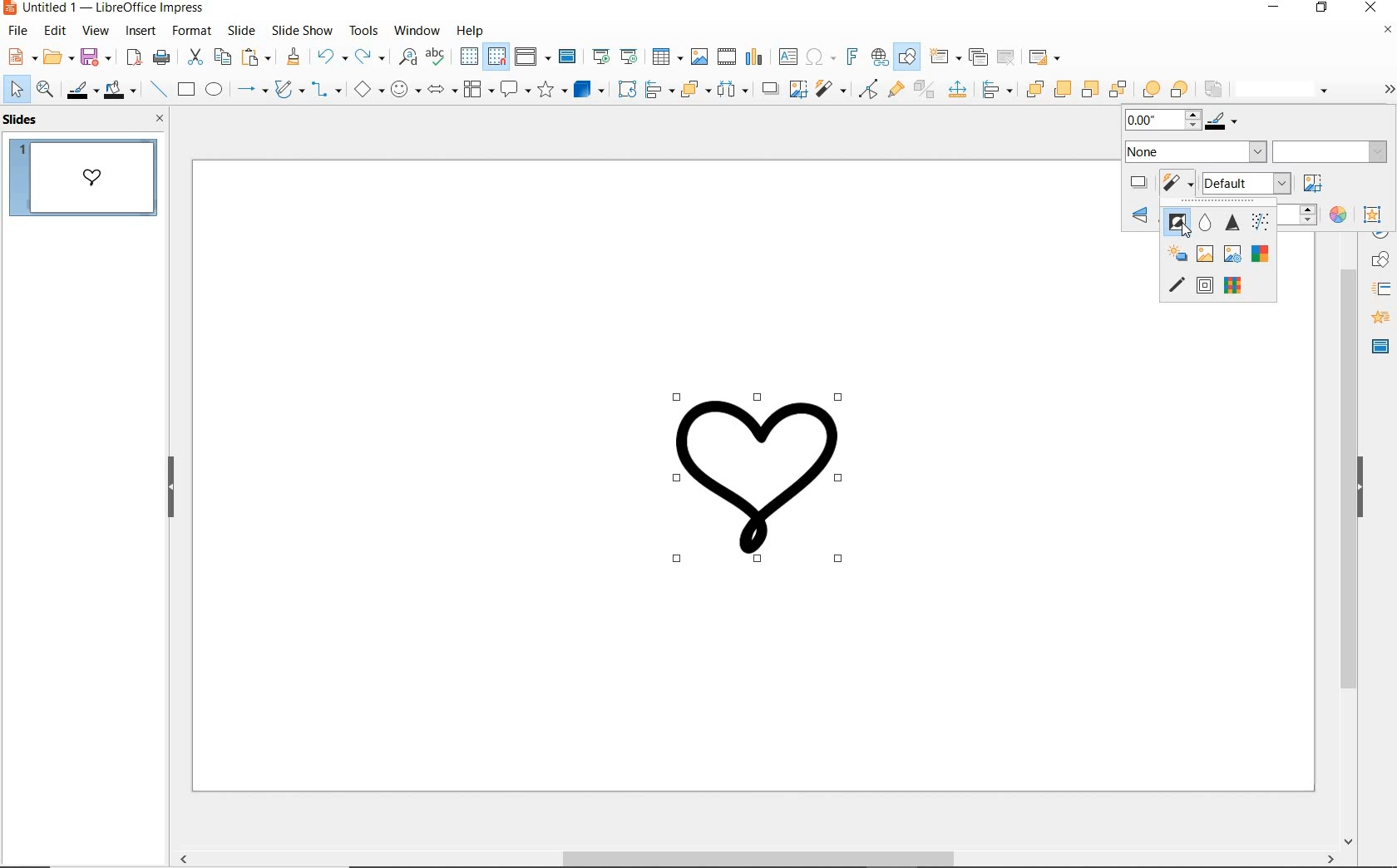 This screenshot has height=868, width=1397. I want to click on interaction, so click(1372, 215).